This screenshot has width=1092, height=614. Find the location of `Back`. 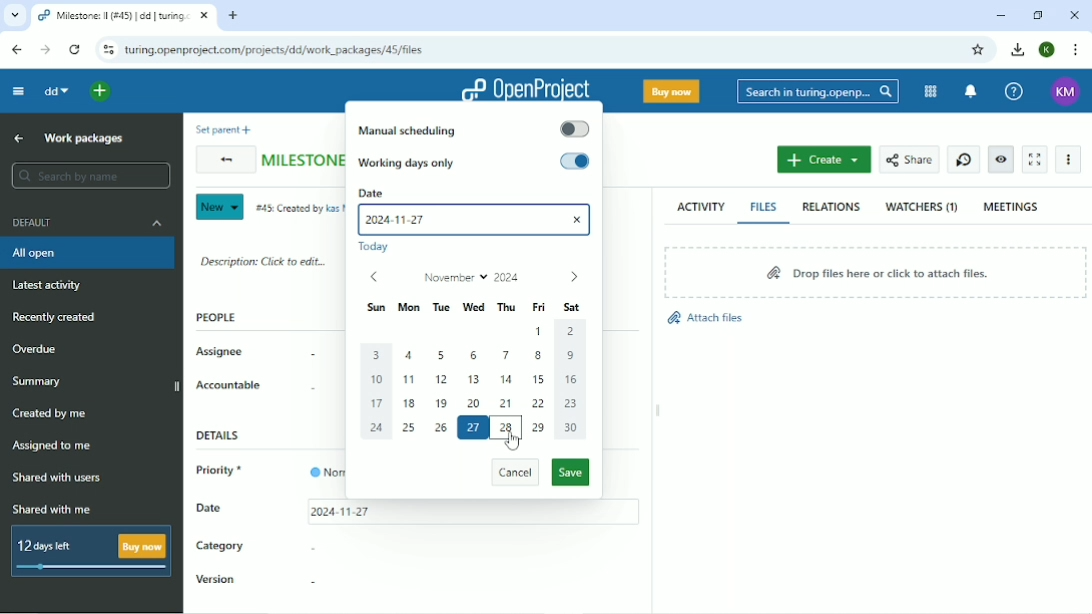

Back is located at coordinates (223, 161).